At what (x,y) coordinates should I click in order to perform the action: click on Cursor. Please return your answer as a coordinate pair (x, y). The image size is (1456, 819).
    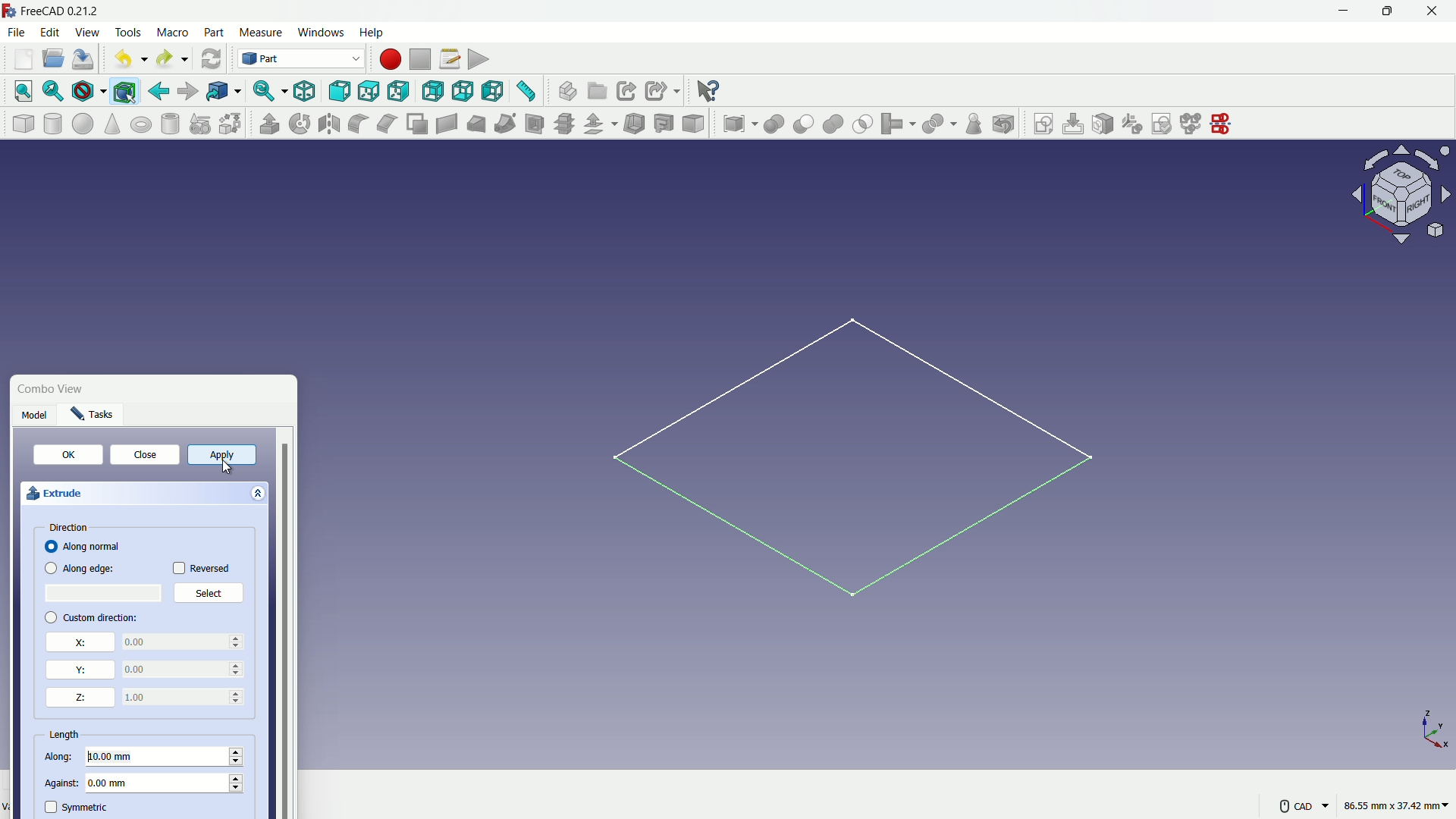
    Looking at the image, I should click on (227, 470).